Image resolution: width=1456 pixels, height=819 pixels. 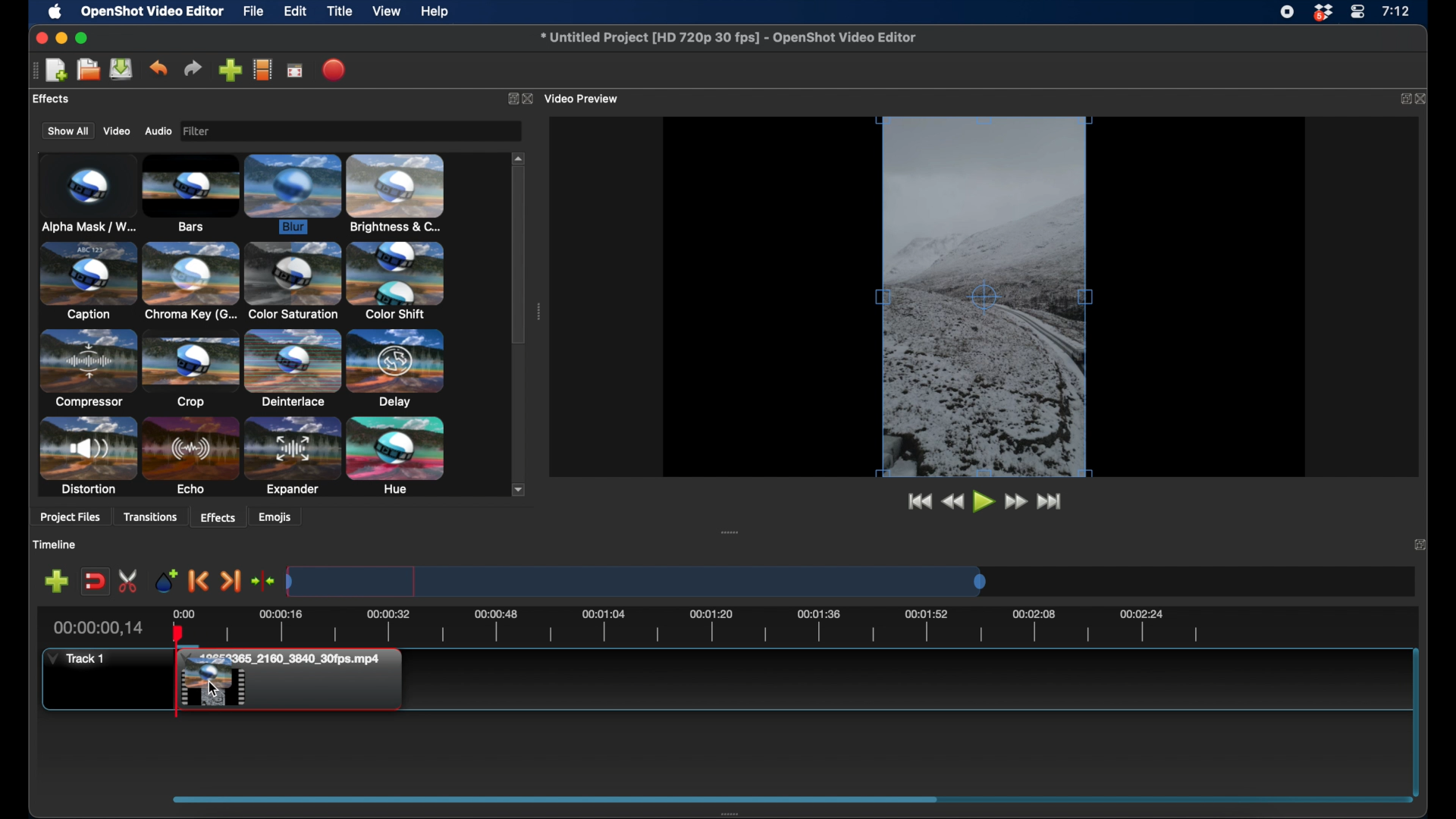 What do you see at coordinates (1357, 12) in the screenshot?
I see `control center` at bounding box center [1357, 12].